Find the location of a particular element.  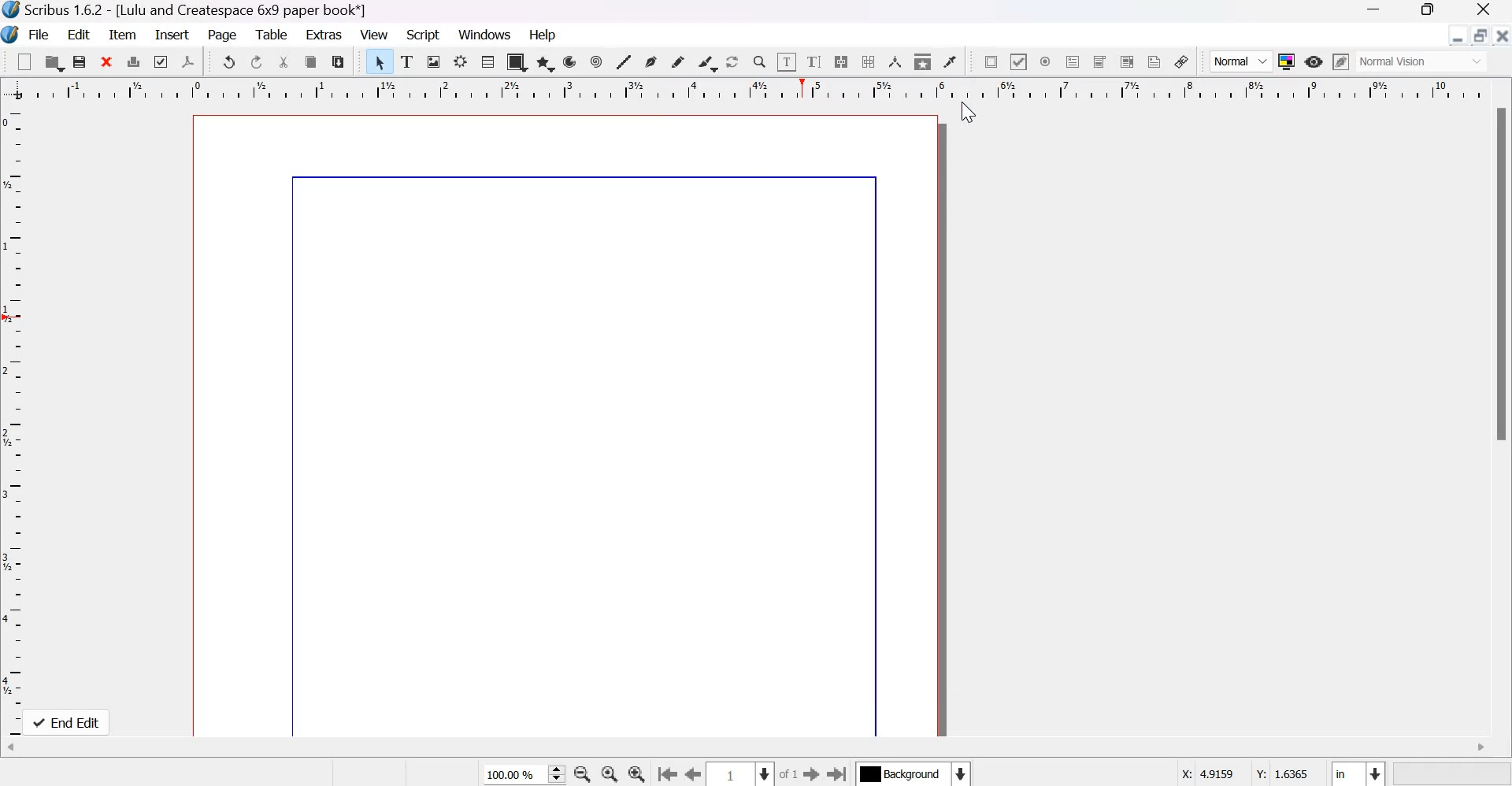

Toggle color management system is located at coordinates (1287, 61).